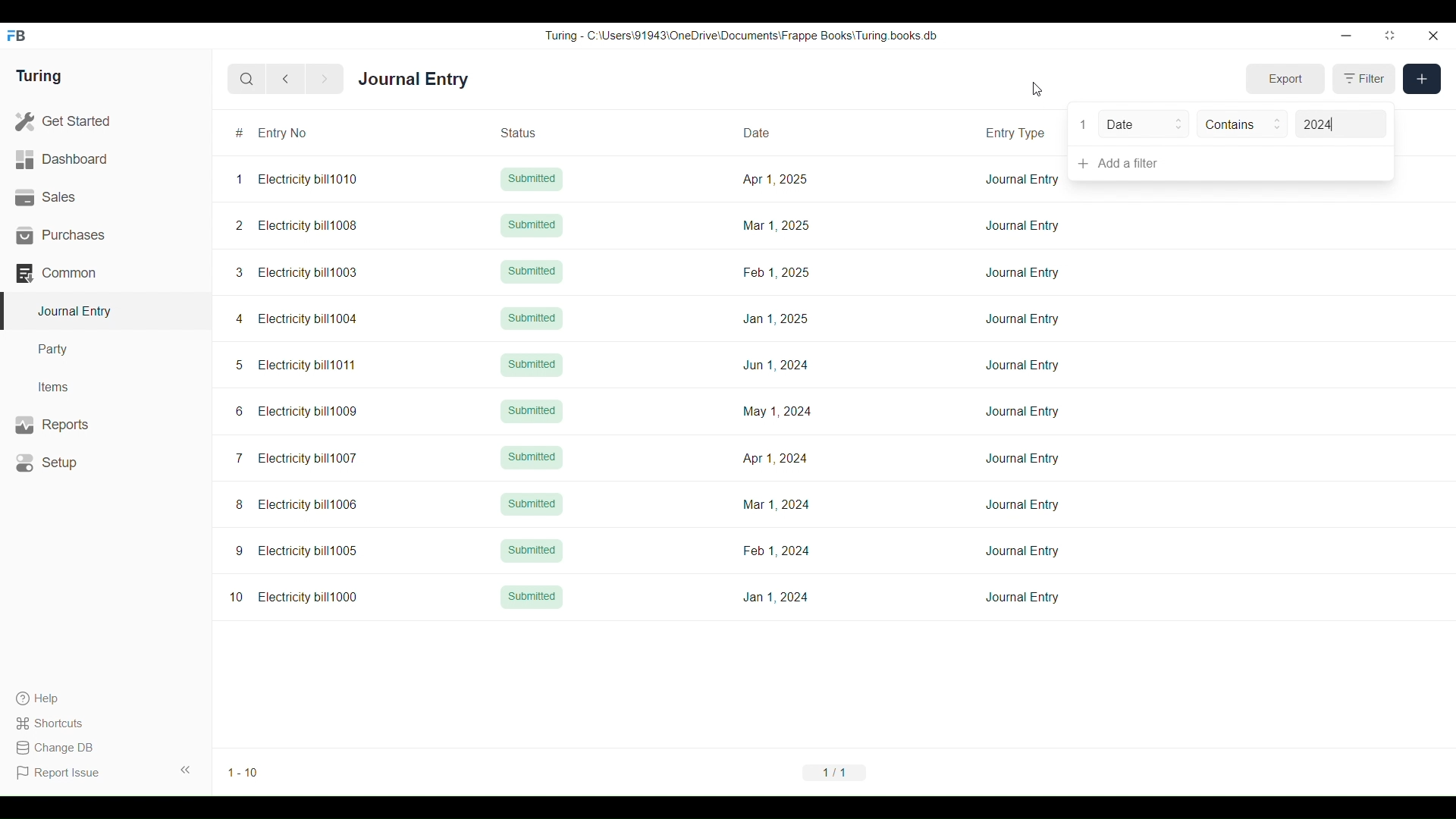 The image size is (1456, 819). I want to click on Date, so click(775, 131).